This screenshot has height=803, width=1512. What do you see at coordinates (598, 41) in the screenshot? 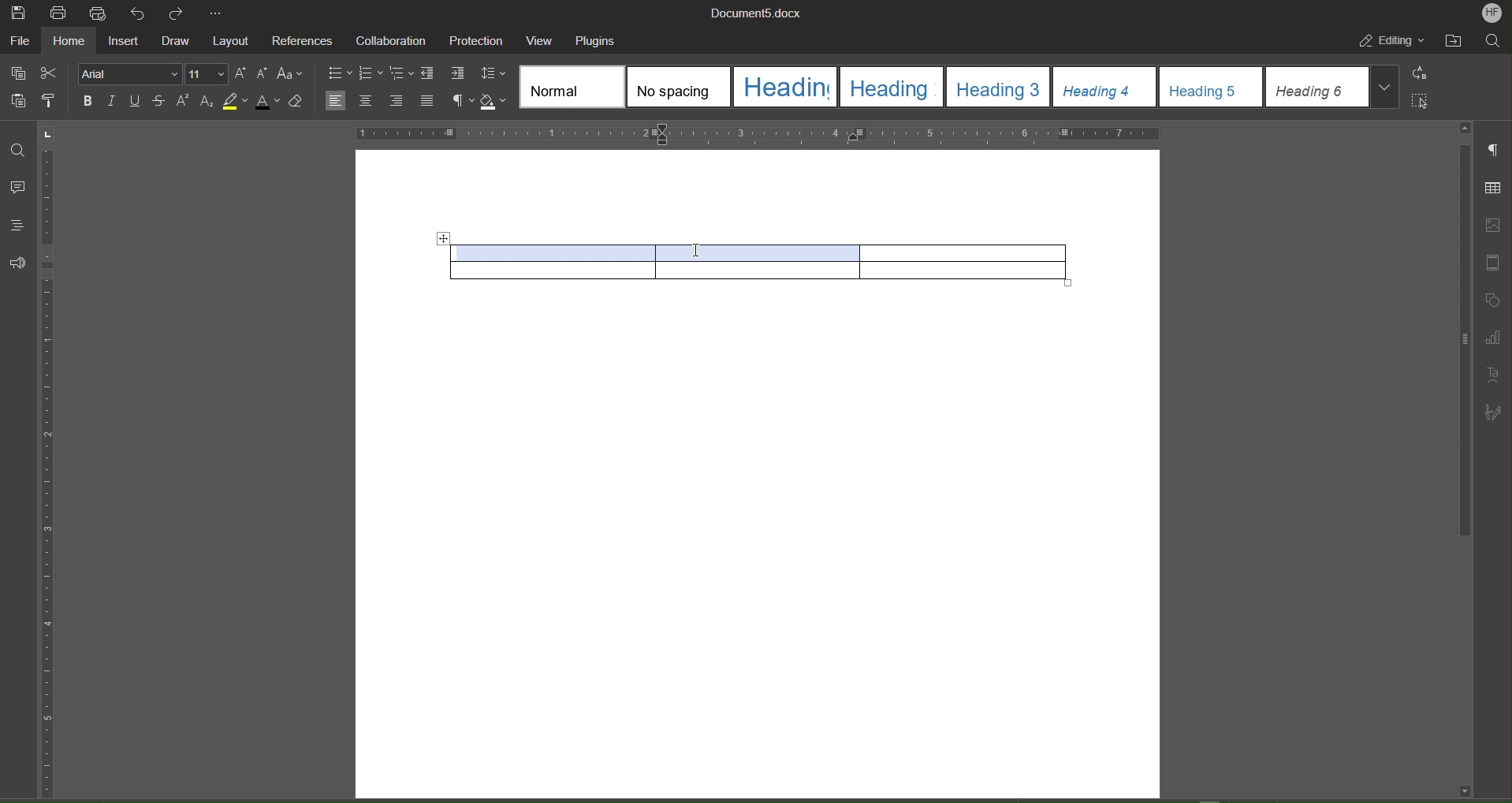
I see `Plugins` at bounding box center [598, 41].